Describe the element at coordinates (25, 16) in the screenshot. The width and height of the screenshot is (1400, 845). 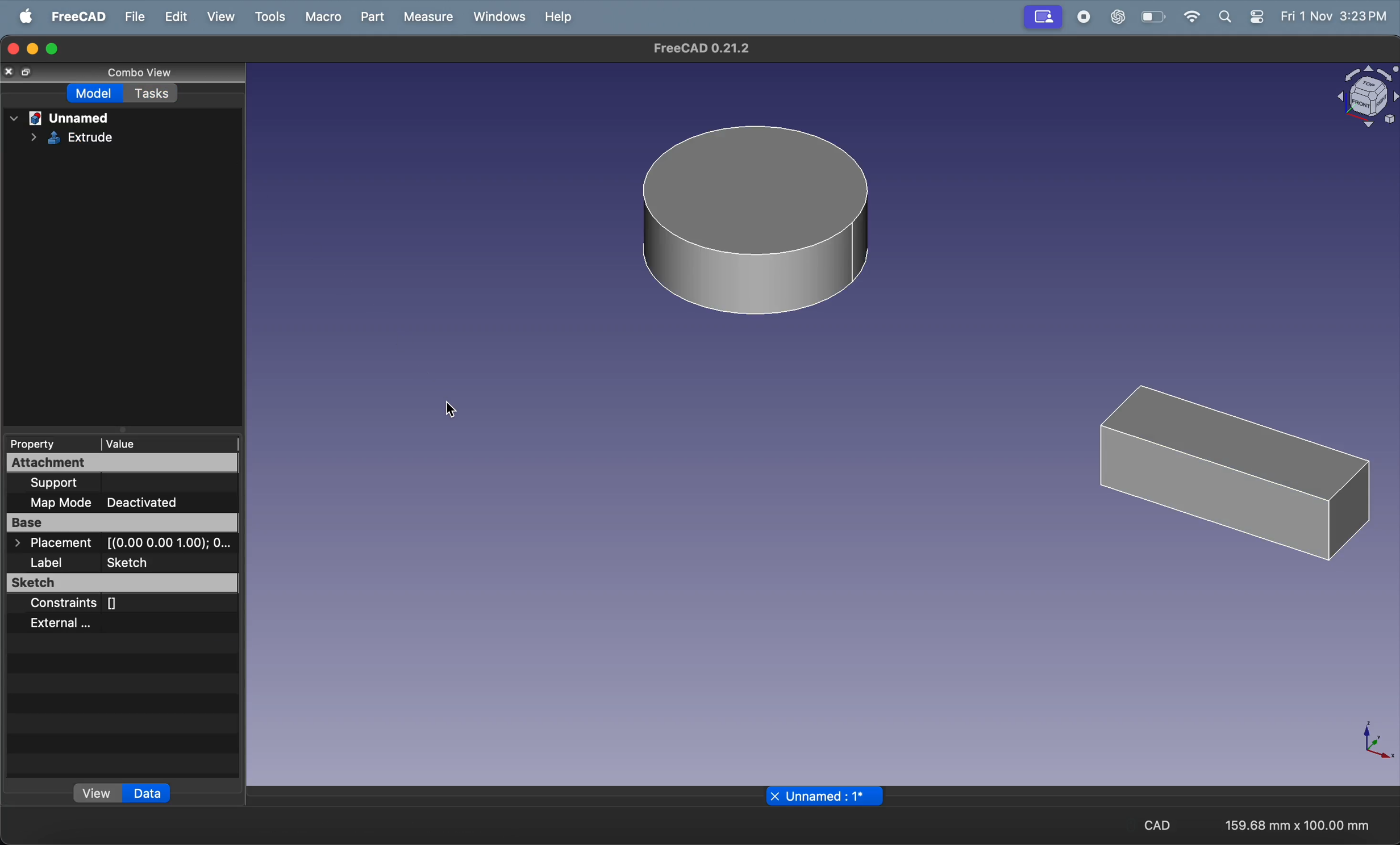
I see `apple menu` at that location.